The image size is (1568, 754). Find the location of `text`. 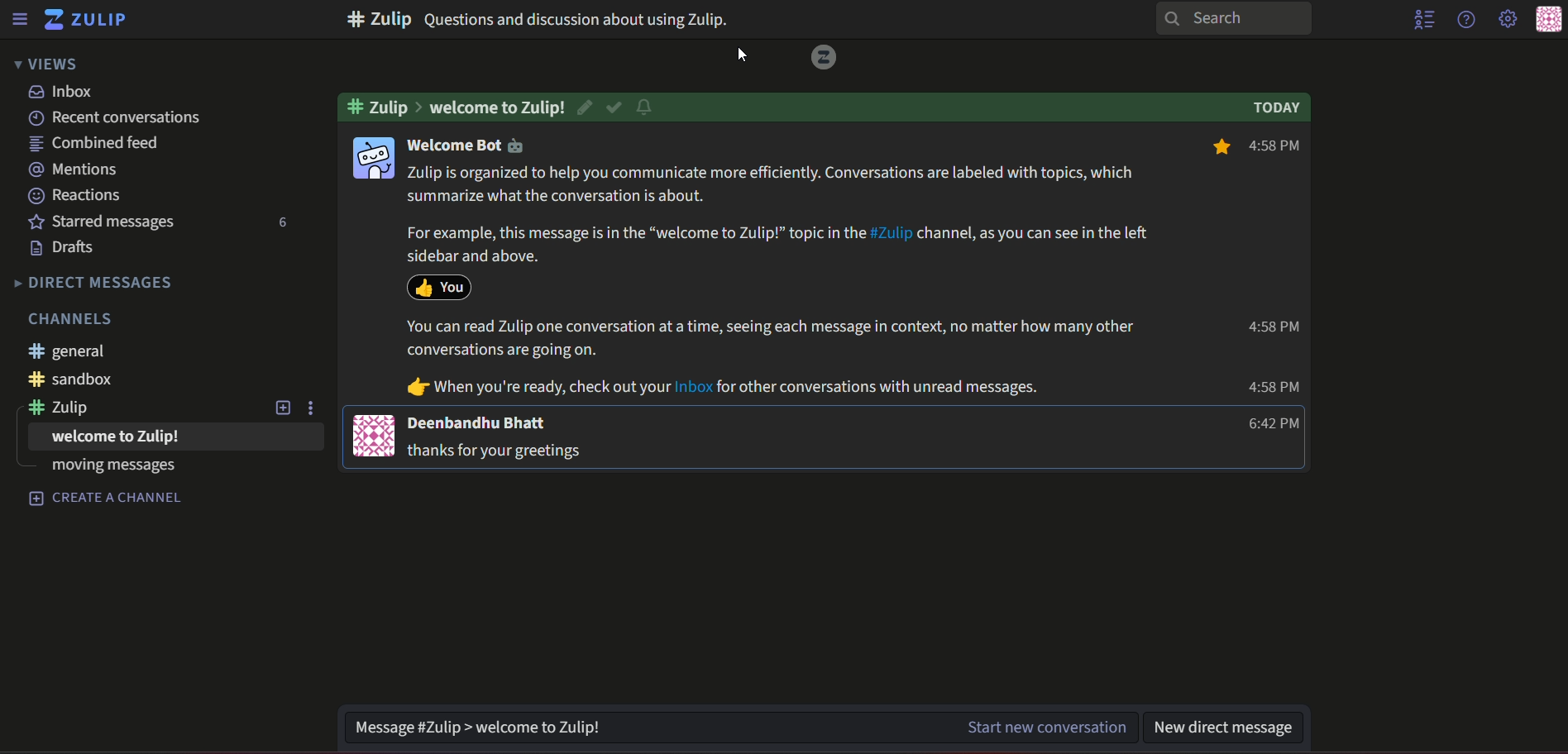

text is located at coordinates (1274, 107).